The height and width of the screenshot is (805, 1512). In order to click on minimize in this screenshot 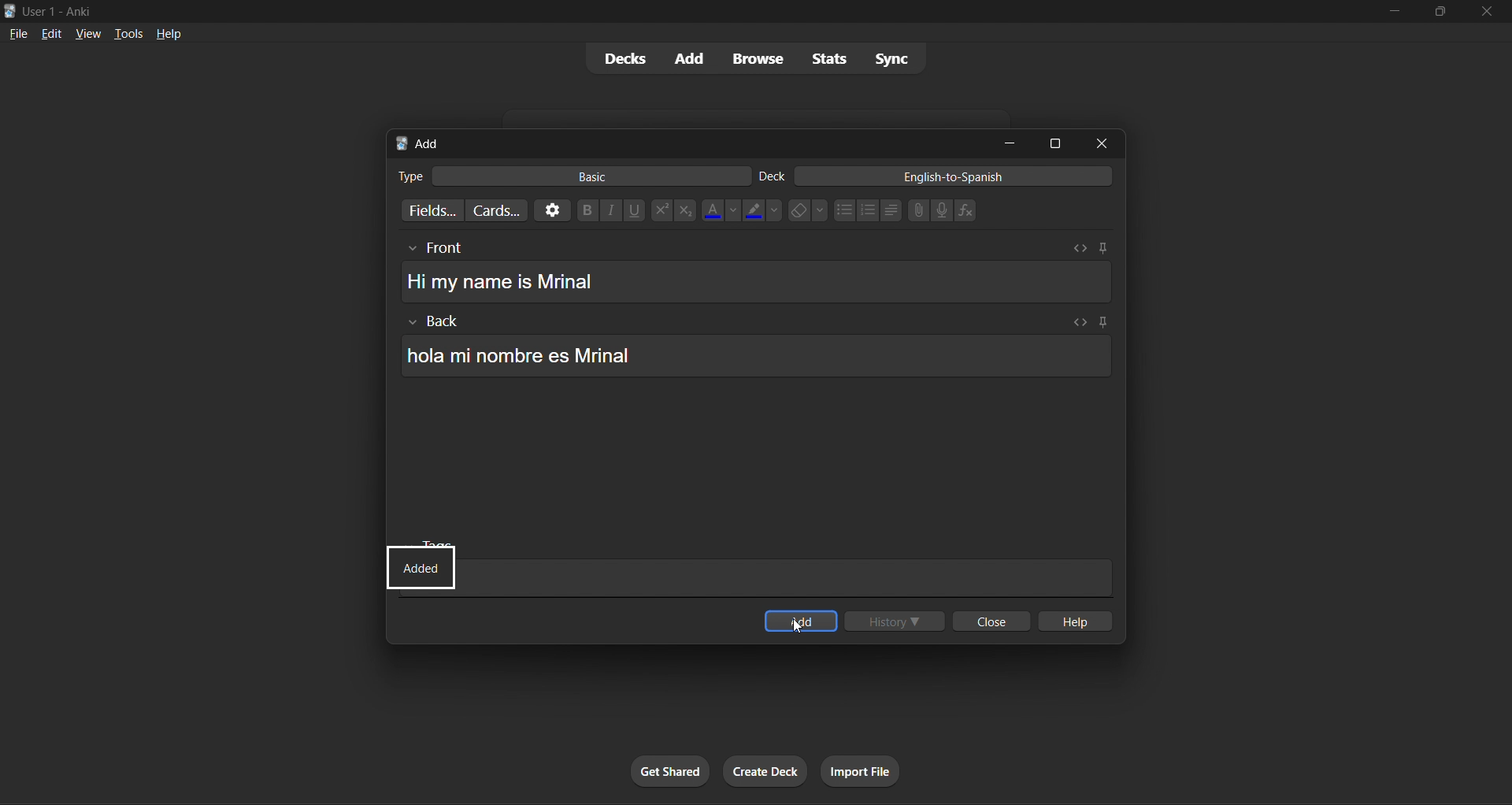, I will do `click(1007, 143)`.